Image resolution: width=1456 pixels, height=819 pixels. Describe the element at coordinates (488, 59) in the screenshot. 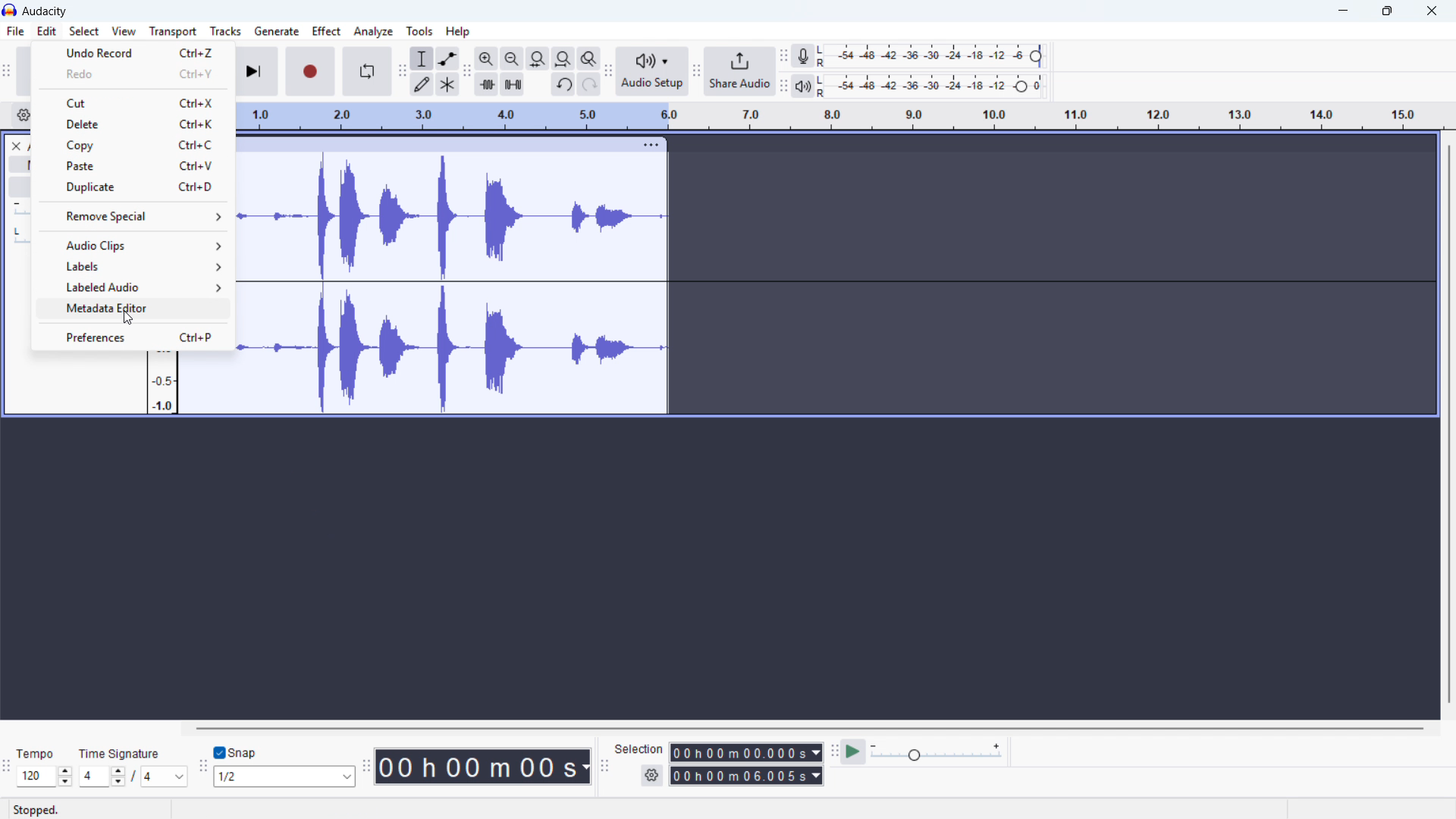

I see `zoom in` at that location.